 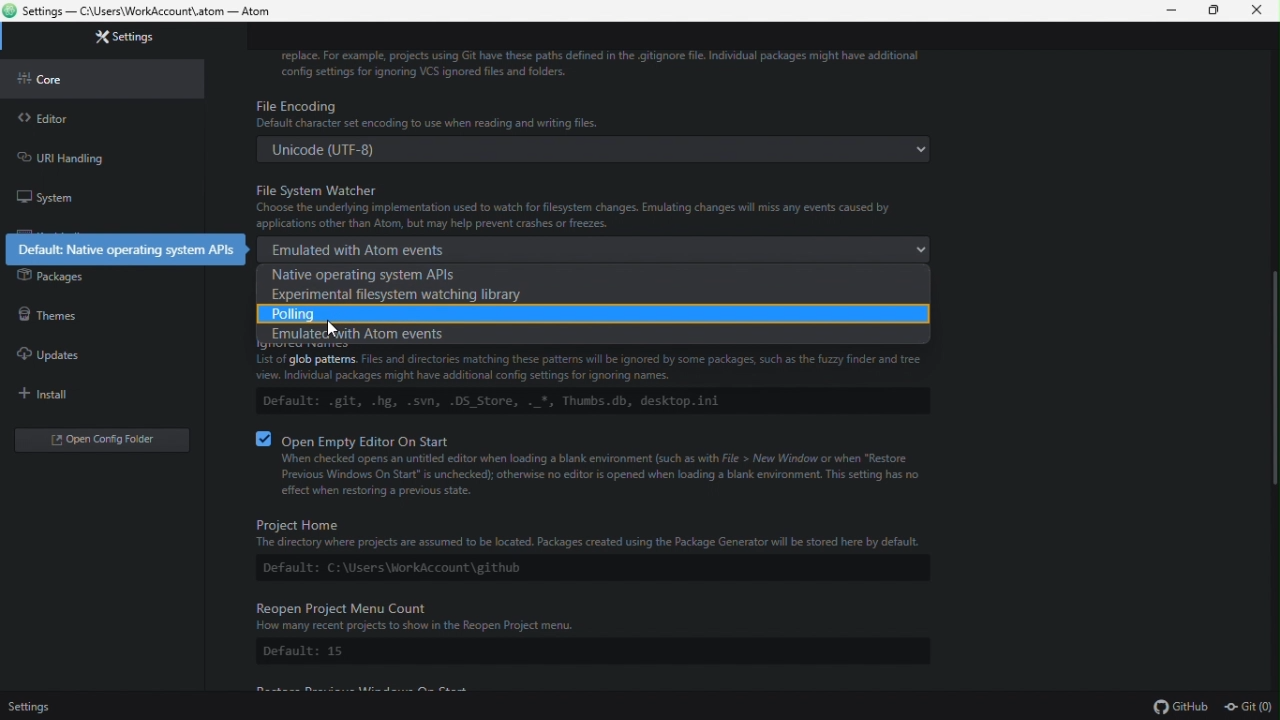 What do you see at coordinates (429, 569) in the screenshot?
I see `Default: C:\Users\WorkAccount\github` at bounding box center [429, 569].